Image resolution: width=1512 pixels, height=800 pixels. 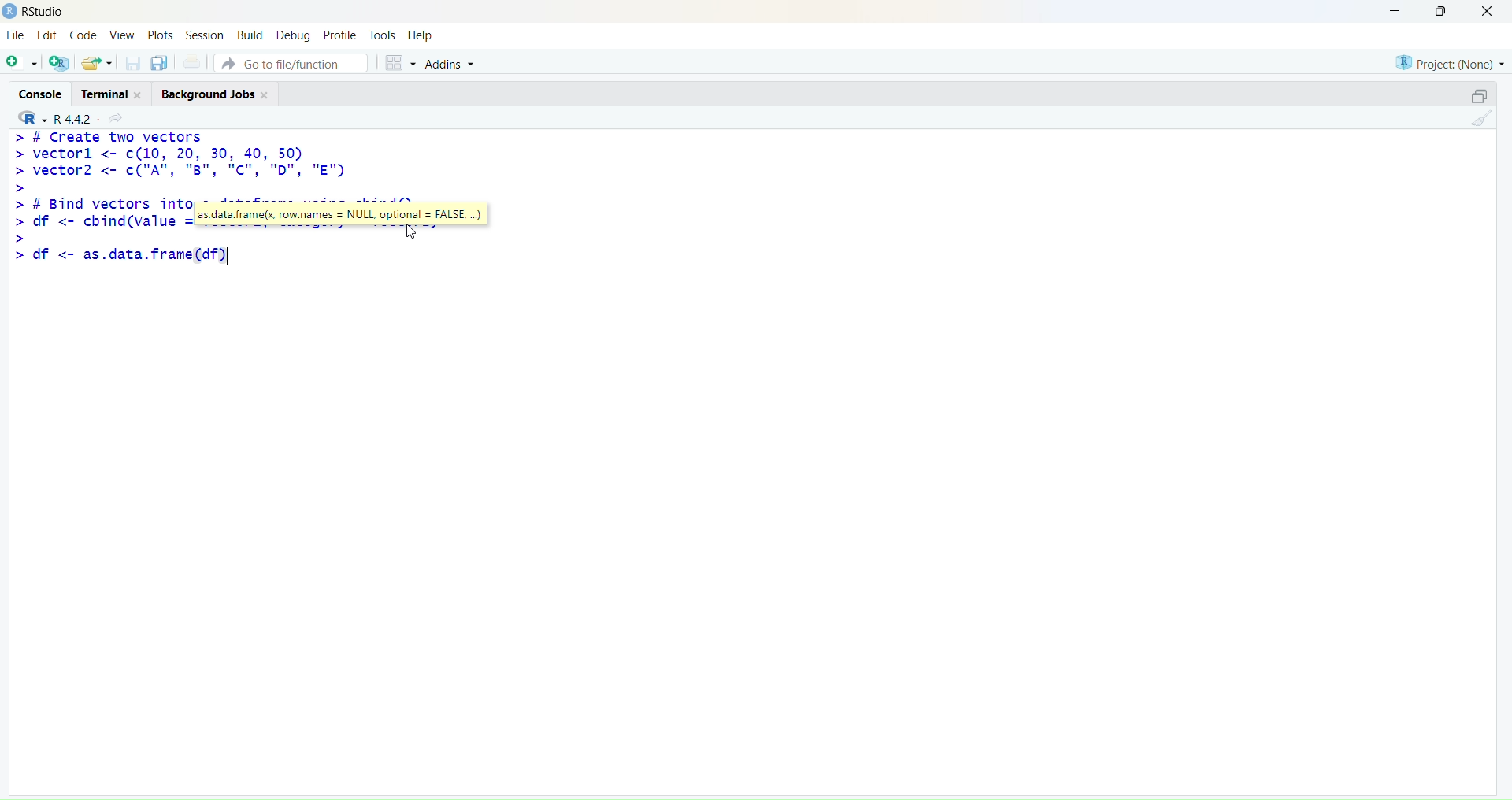 What do you see at coordinates (132, 65) in the screenshot?
I see `save open document` at bounding box center [132, 65].